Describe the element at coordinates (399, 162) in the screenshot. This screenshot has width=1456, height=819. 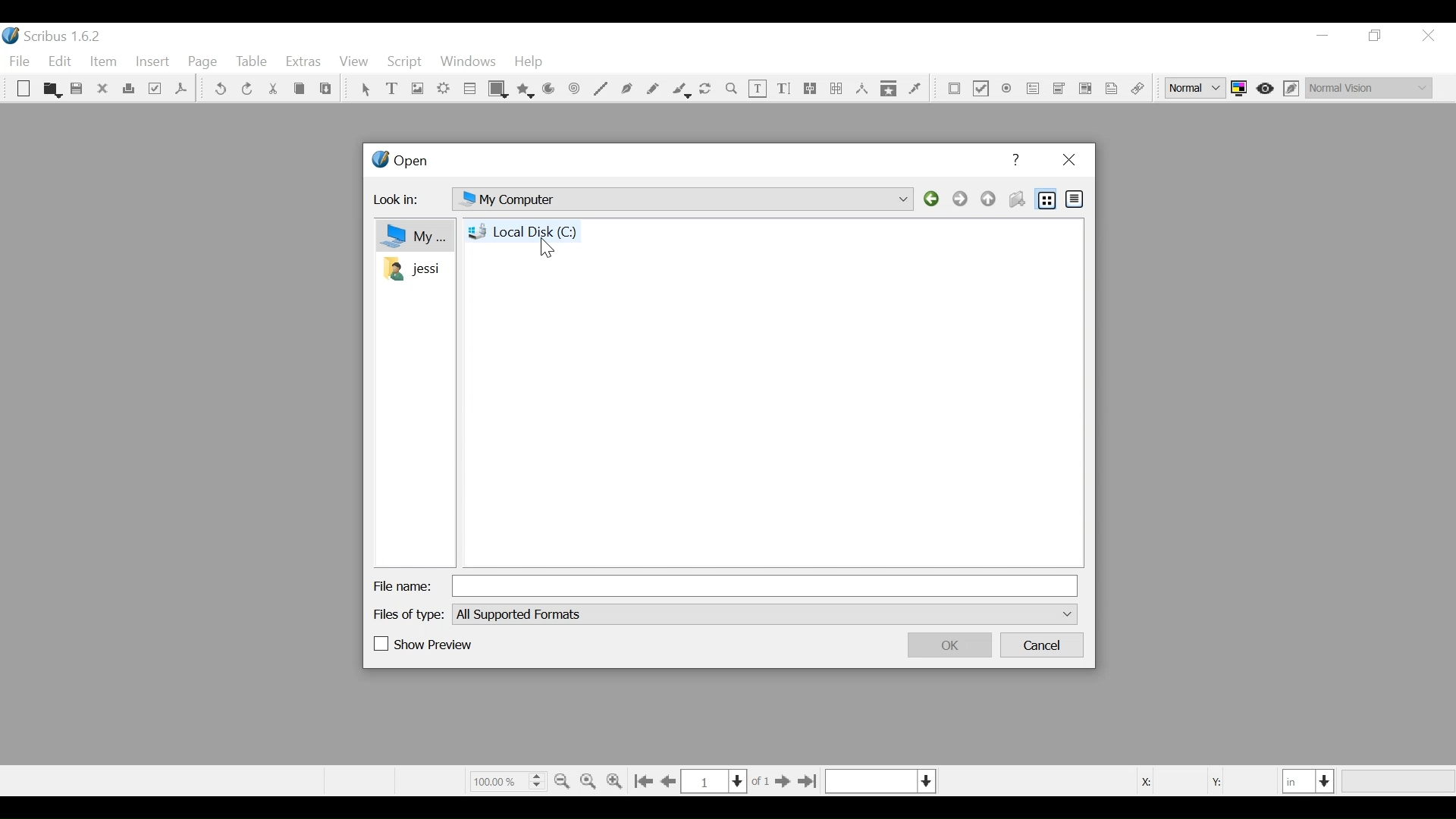
I see `Open` at that location.